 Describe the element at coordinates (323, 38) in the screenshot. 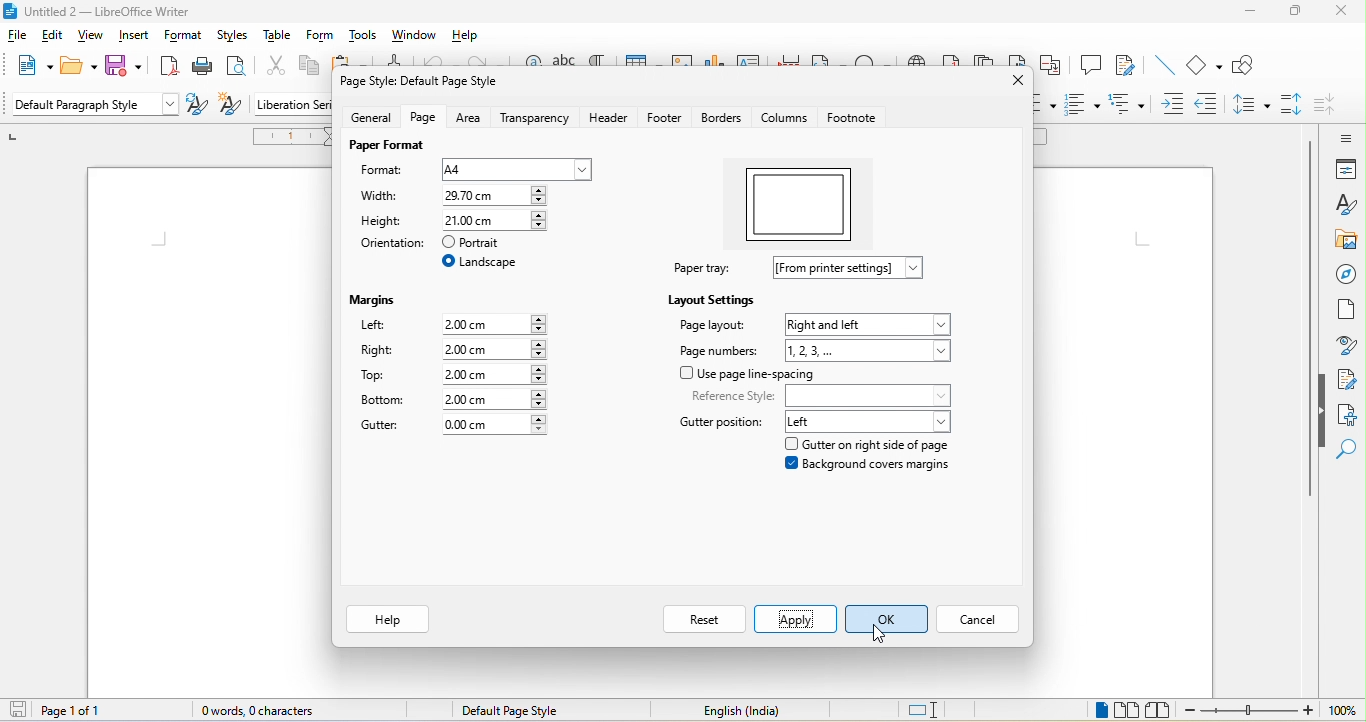

I see `form` at that location.